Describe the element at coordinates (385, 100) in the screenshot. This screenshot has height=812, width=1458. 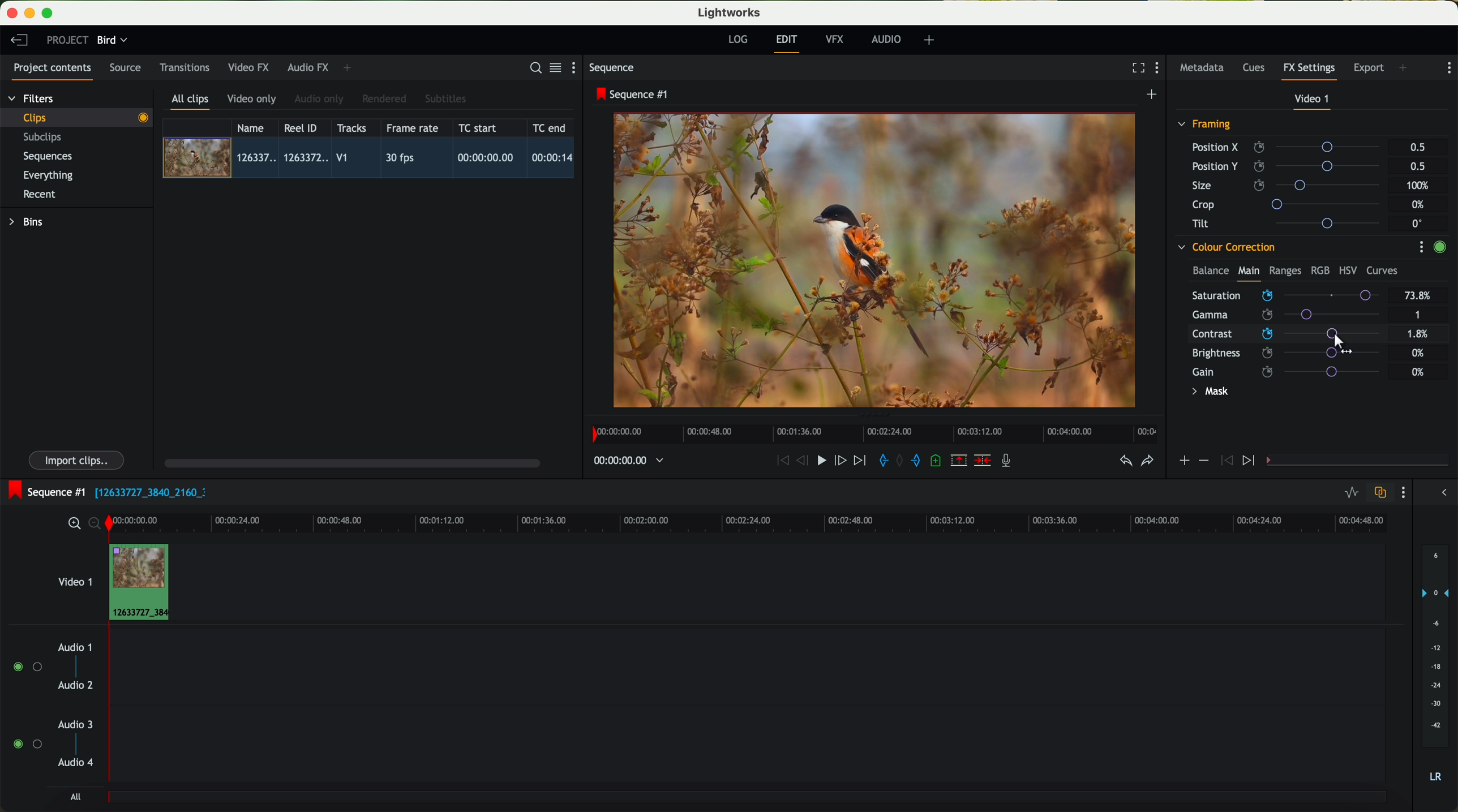
I see `rendered` at that location.